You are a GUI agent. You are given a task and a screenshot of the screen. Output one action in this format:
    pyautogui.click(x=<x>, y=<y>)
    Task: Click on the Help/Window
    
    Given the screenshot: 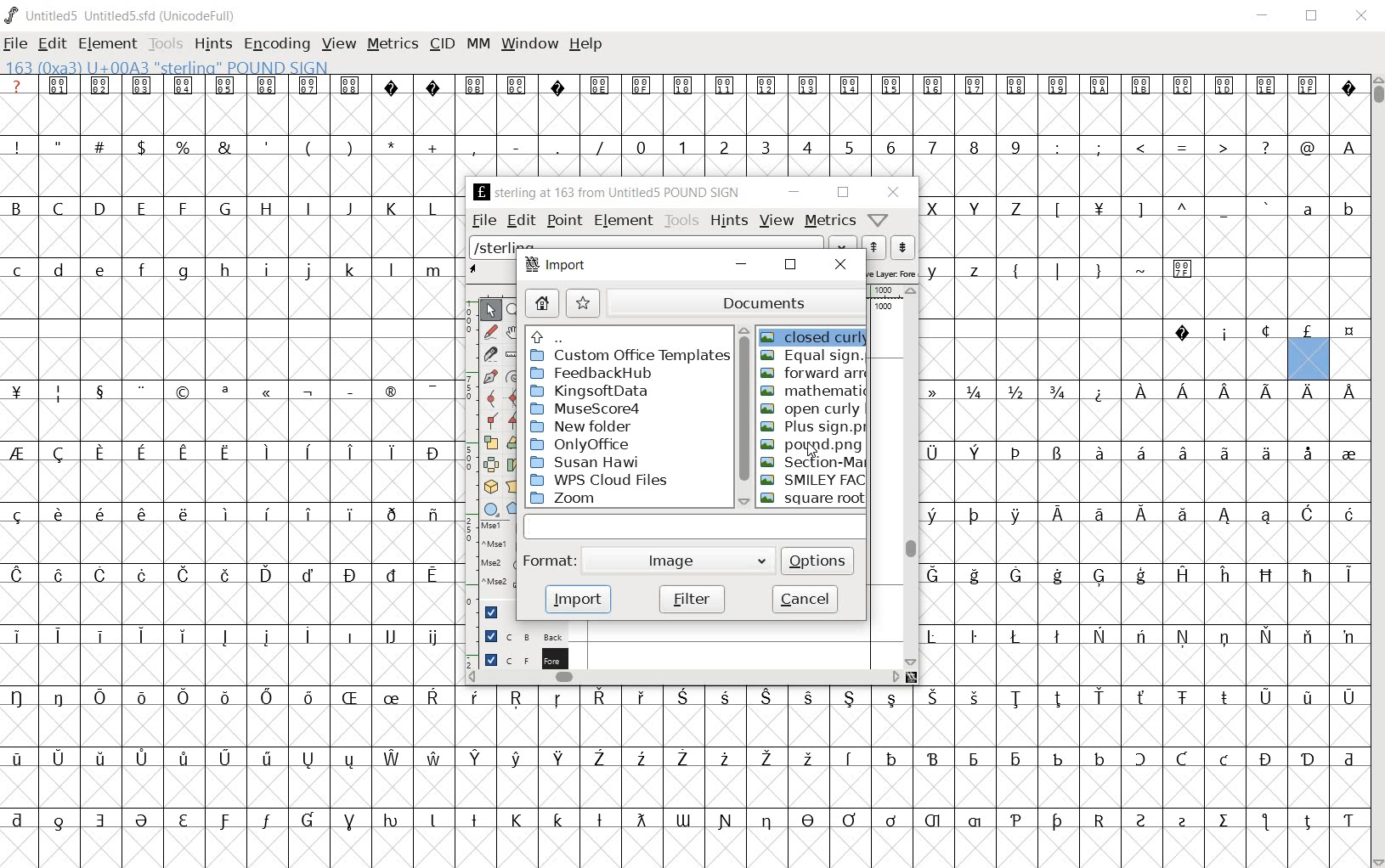 What is the action you would take?
    pyautogui.click(x=879, y=220)
    